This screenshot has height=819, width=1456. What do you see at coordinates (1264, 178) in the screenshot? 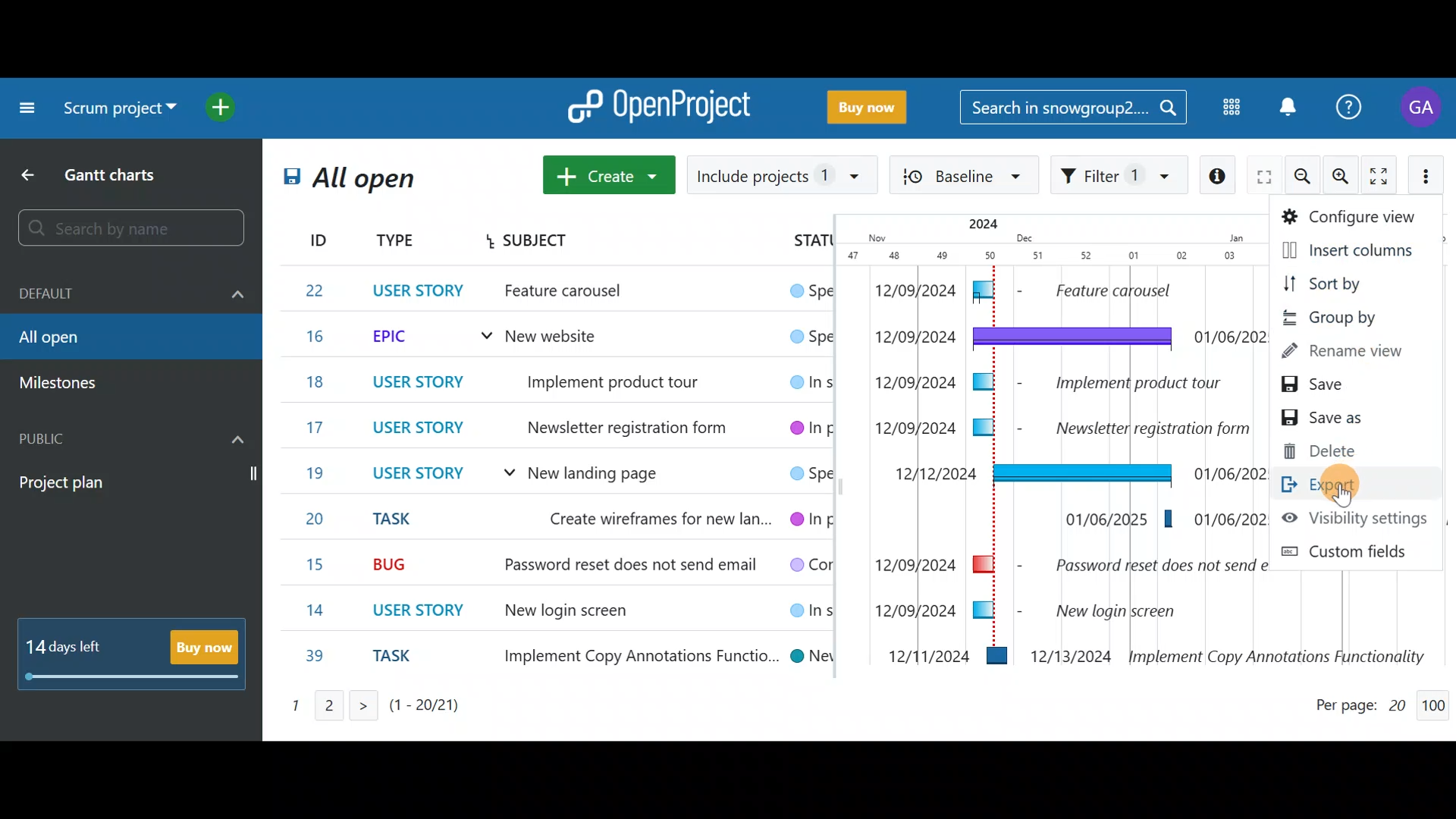
I see `Expand view` at bounding box center [1264, 178].